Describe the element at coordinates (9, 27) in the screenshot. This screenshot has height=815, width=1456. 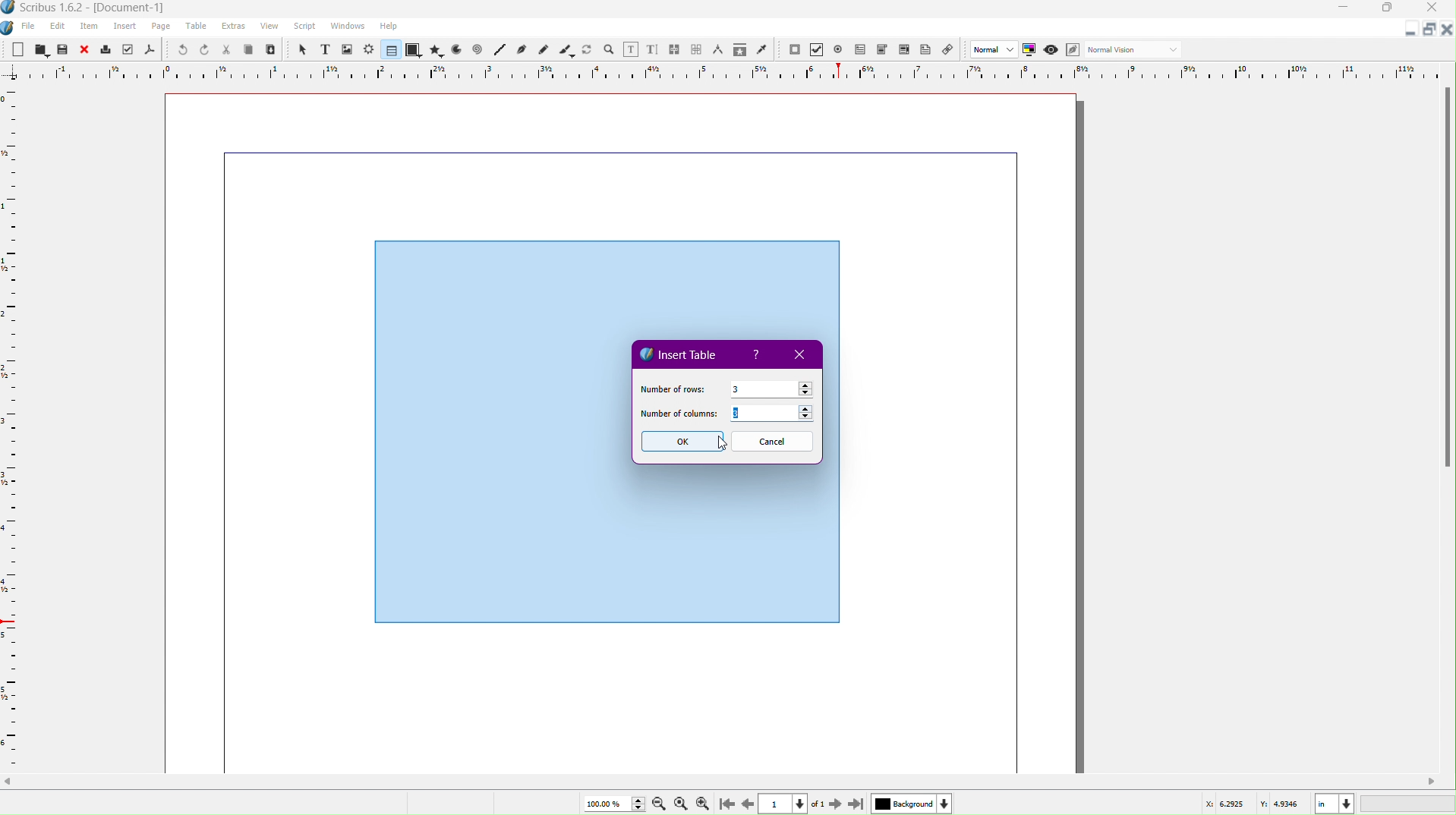
I see `Logo` at that location.